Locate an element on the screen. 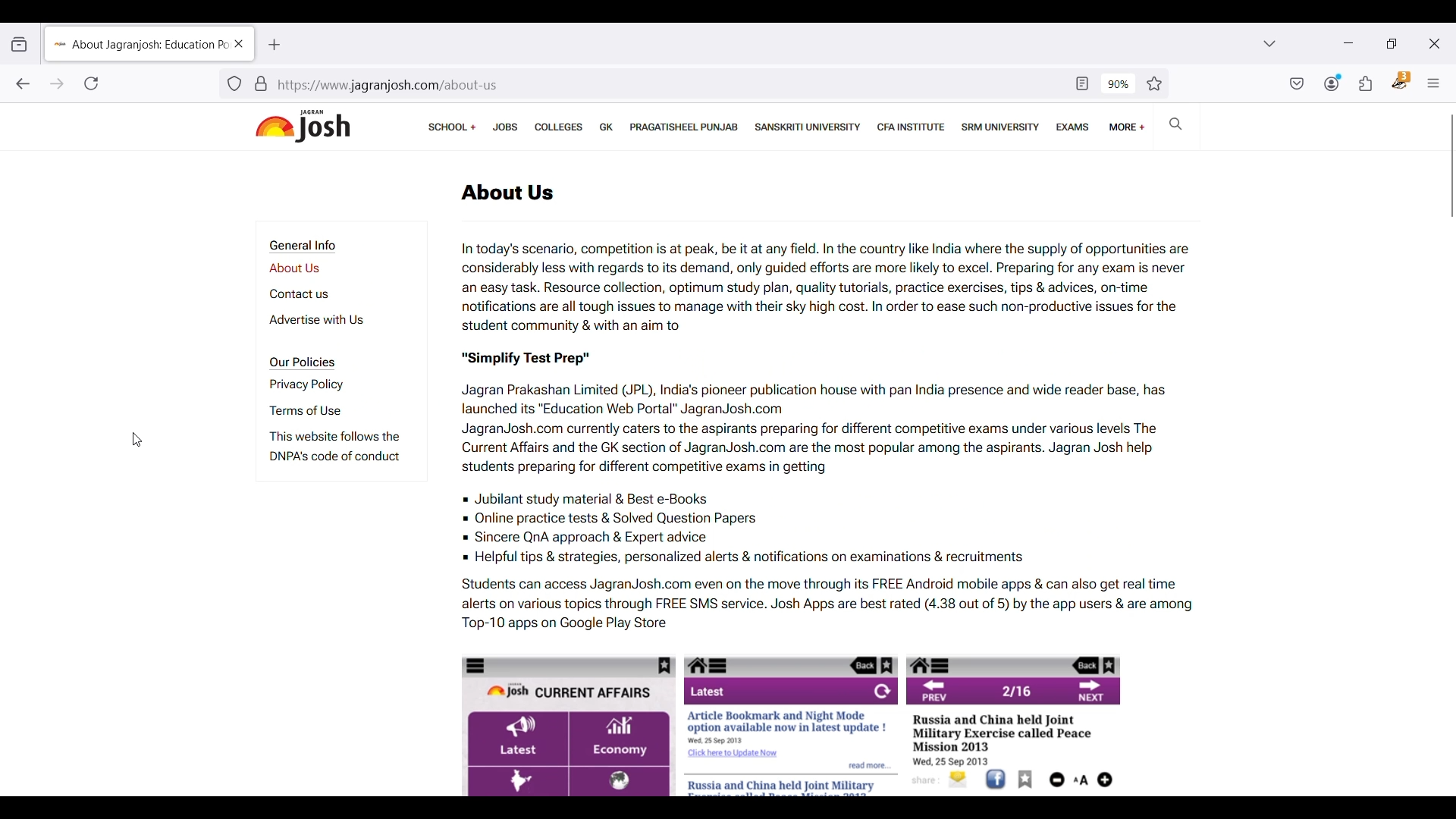  Vertical slide bar is located at coordinates (1452, 166).